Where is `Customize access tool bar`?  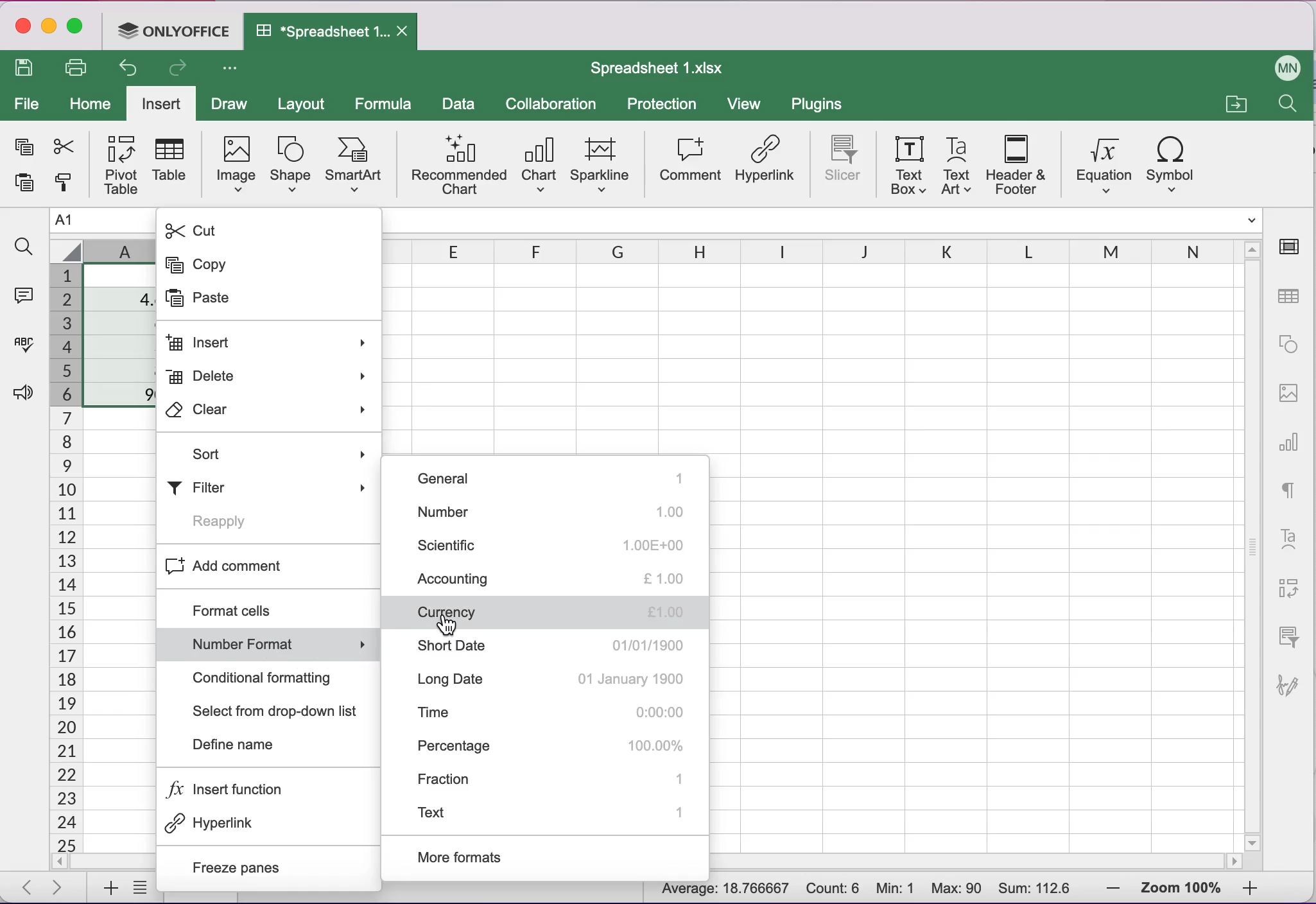 Customize access tool bar is located at coordinates (230, 67).